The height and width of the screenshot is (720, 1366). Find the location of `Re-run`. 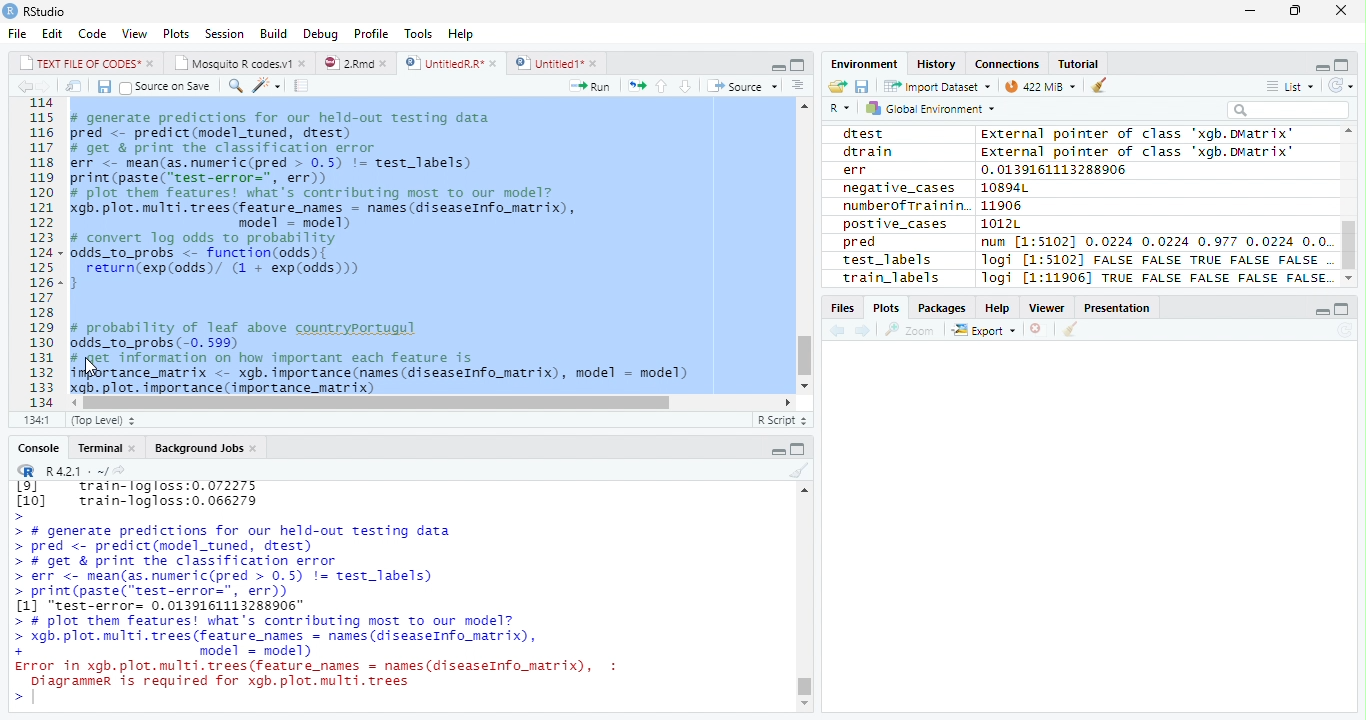

Re-run is located at coordinates (633, 84).